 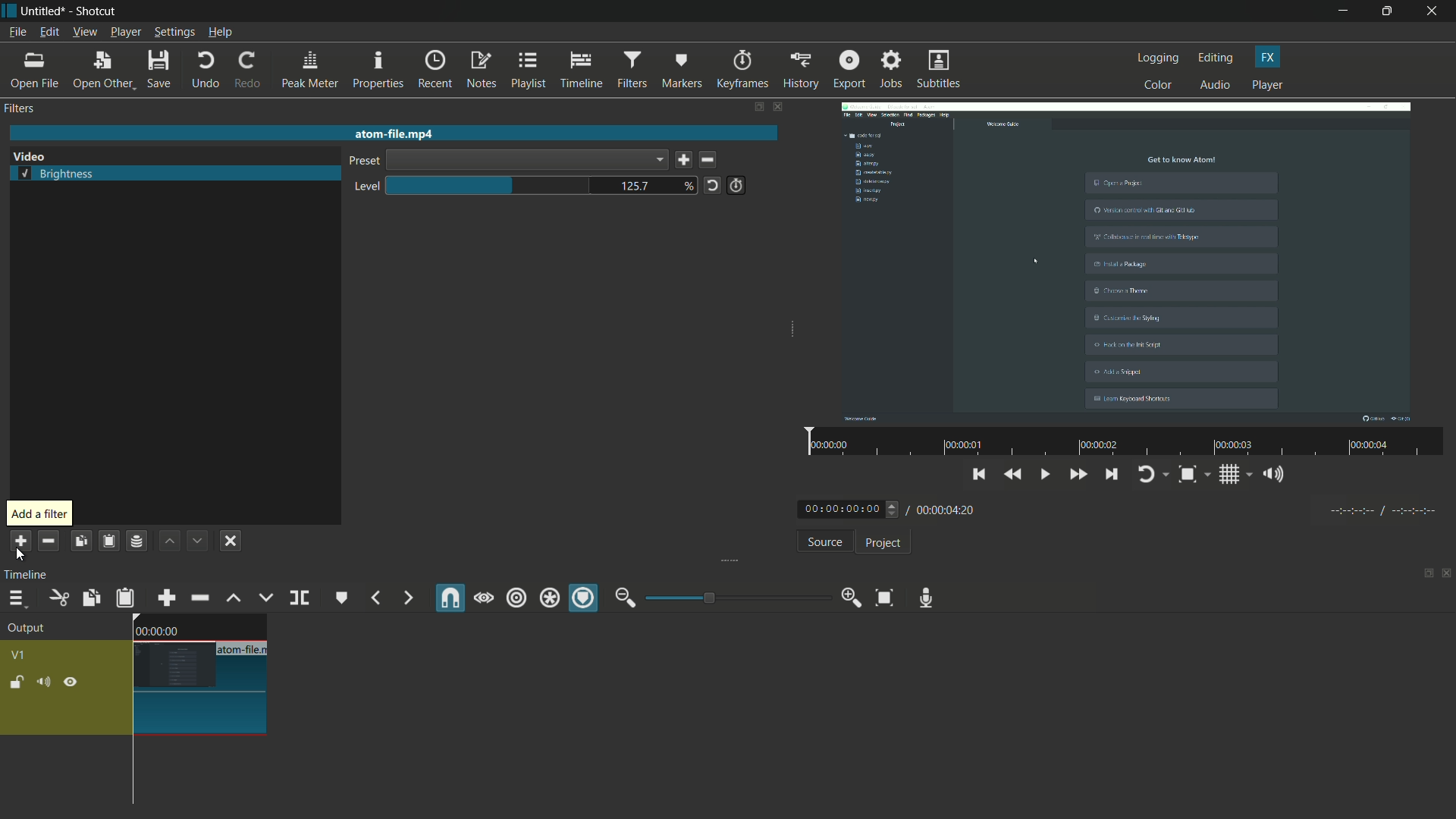 I want to click on close panel, so click(x=1447, y=575).